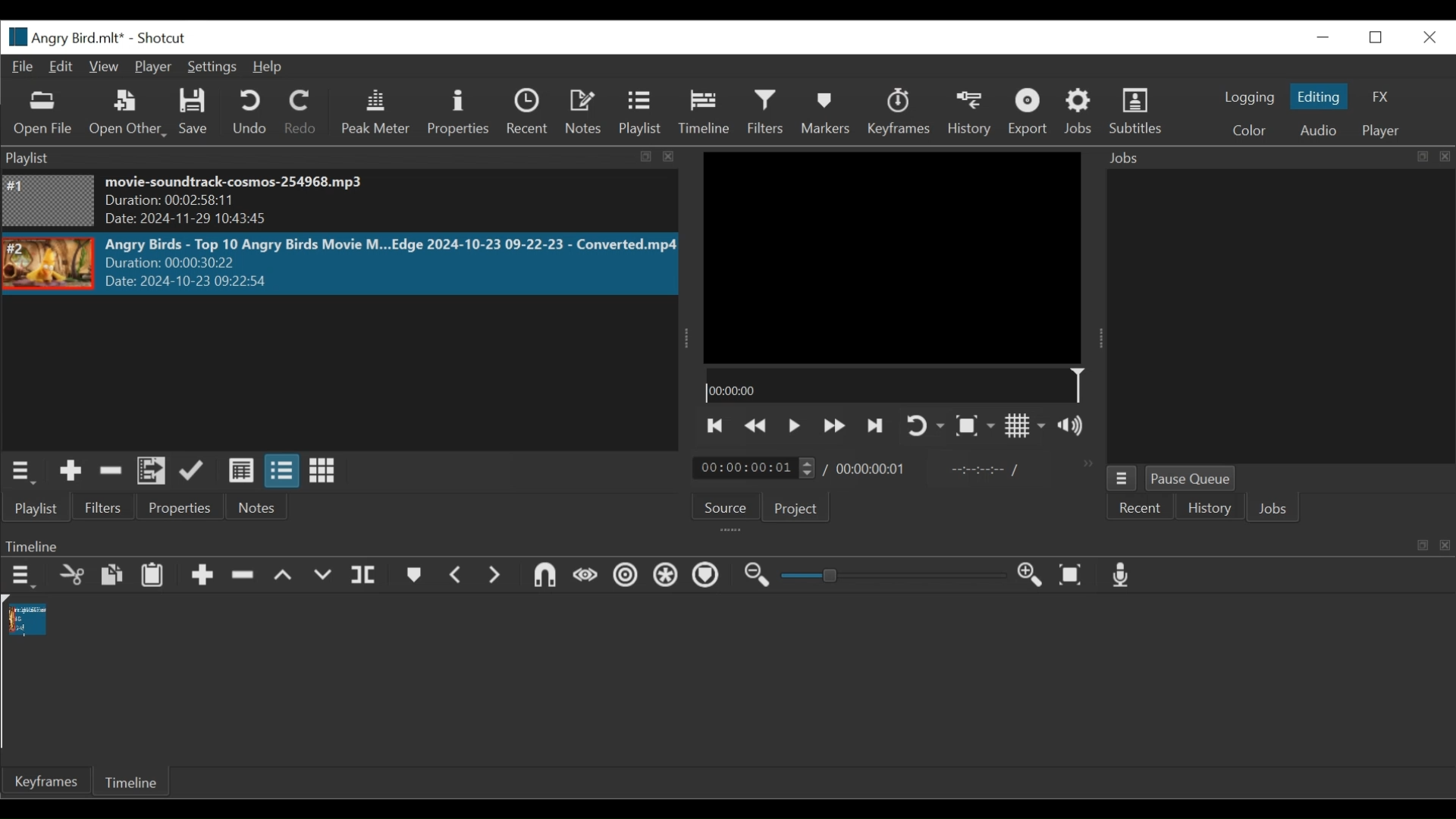  Describe the element at coordinates (583, 576) in the screenshot. I see `Scrub while dragging` at that location.